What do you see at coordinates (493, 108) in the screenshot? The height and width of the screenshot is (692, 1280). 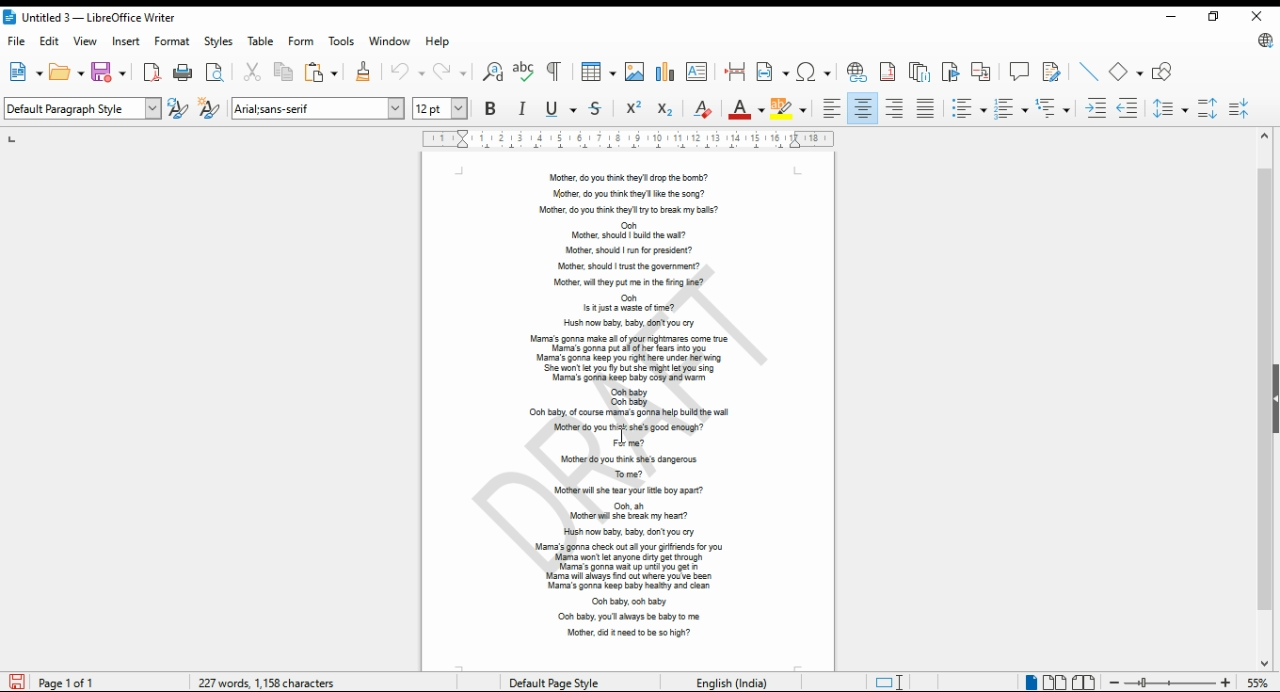 I see `bold` at bounding box center [493, 108].